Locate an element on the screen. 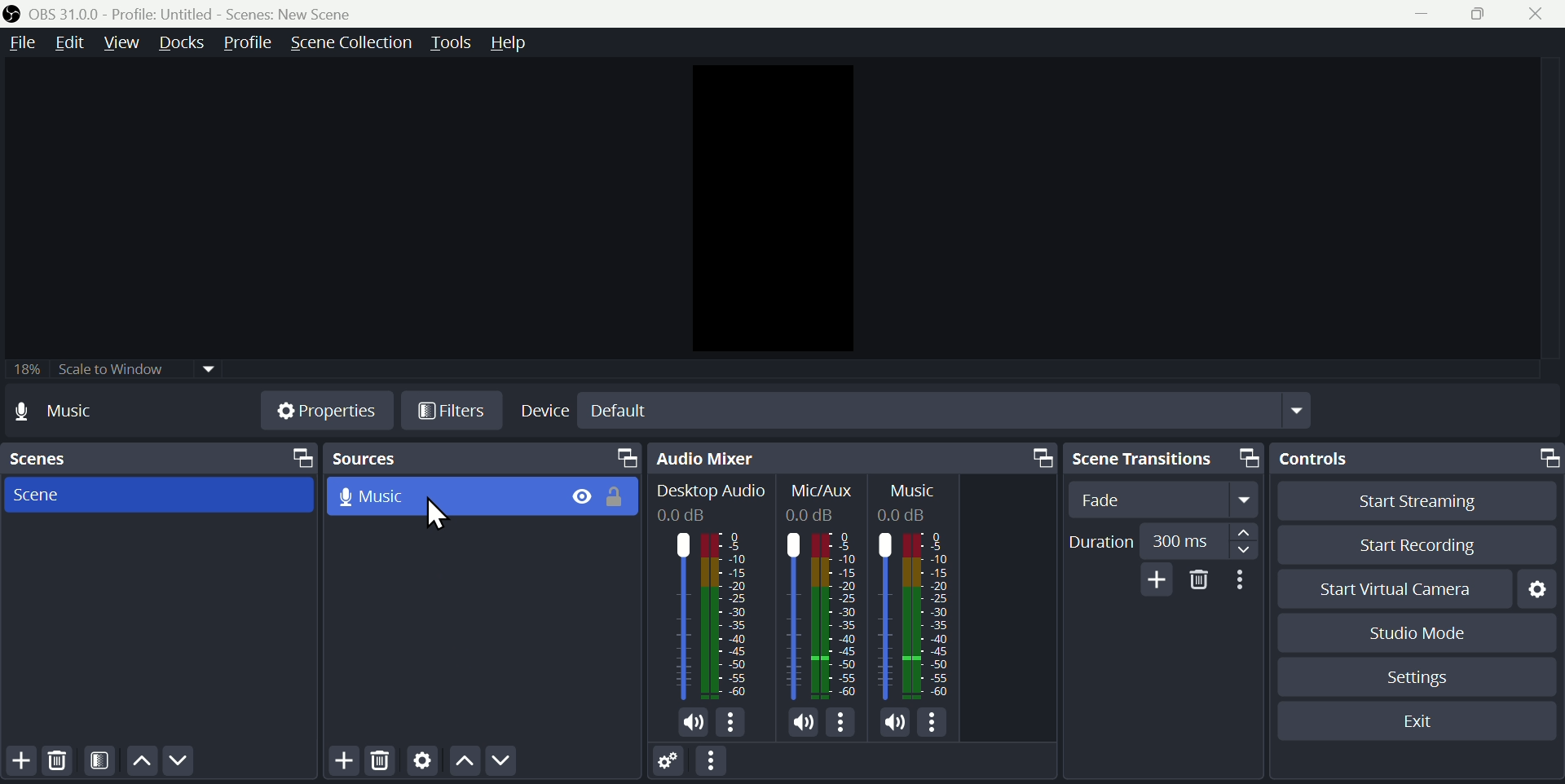  Exit is located at coordinates (1424, 724).